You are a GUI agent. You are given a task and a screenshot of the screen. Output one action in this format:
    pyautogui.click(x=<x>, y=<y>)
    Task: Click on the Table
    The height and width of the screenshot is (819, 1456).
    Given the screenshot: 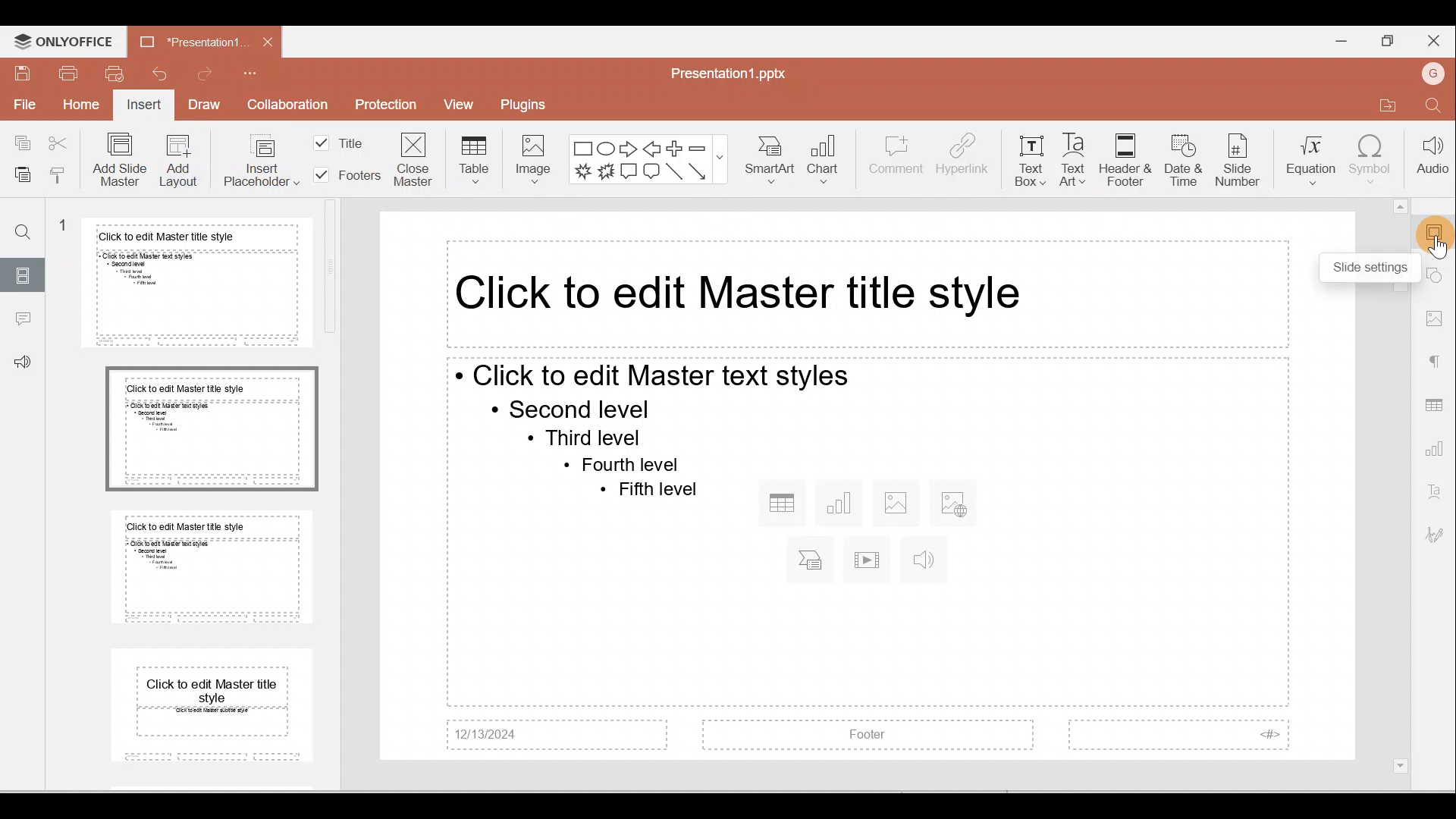 What is the action you would take?
    pyautogui.click(x=470, y=157)
    